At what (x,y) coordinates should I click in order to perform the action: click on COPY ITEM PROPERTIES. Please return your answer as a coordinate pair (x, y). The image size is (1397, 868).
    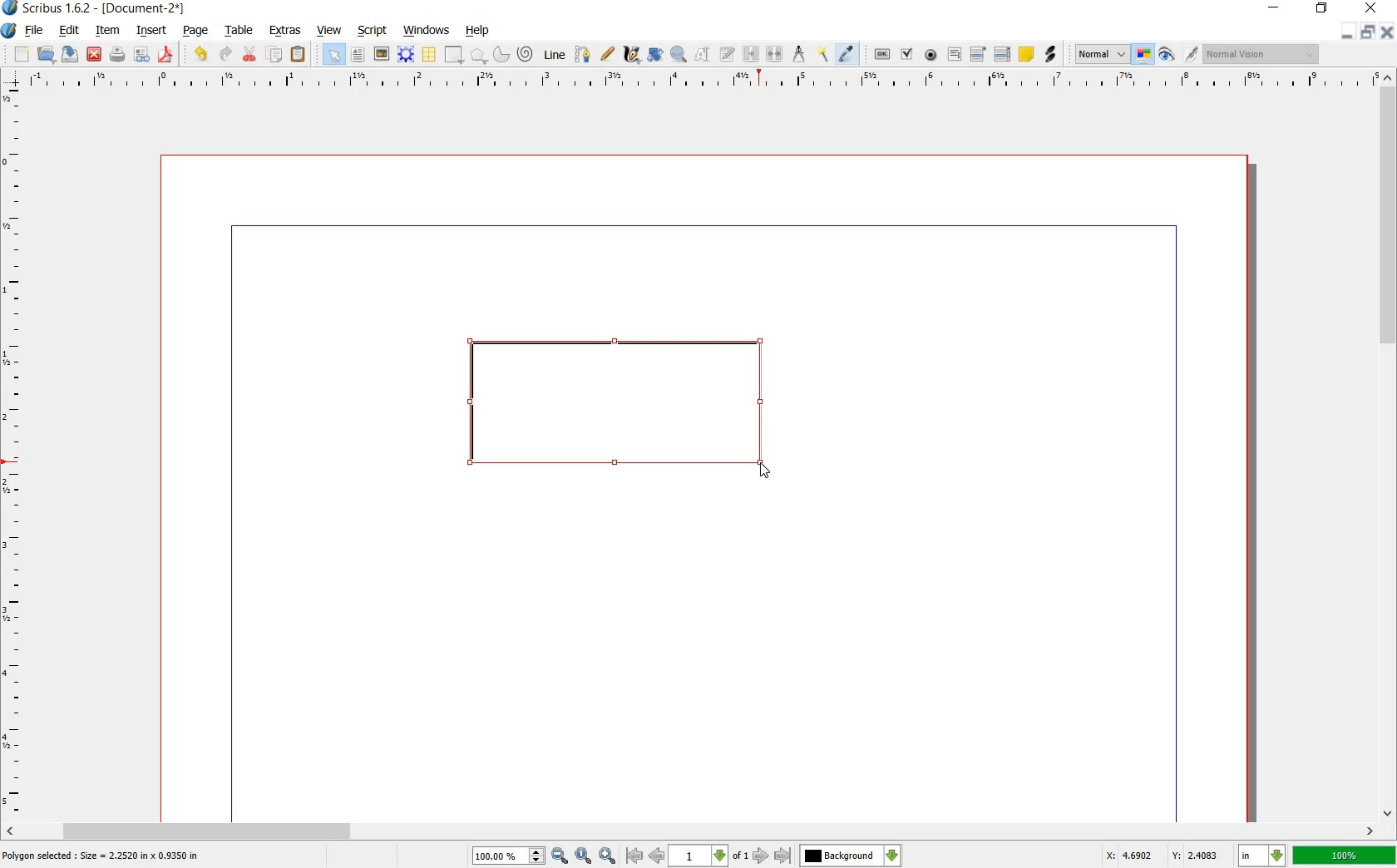
    Looking at the image, I should click on (822, 55).